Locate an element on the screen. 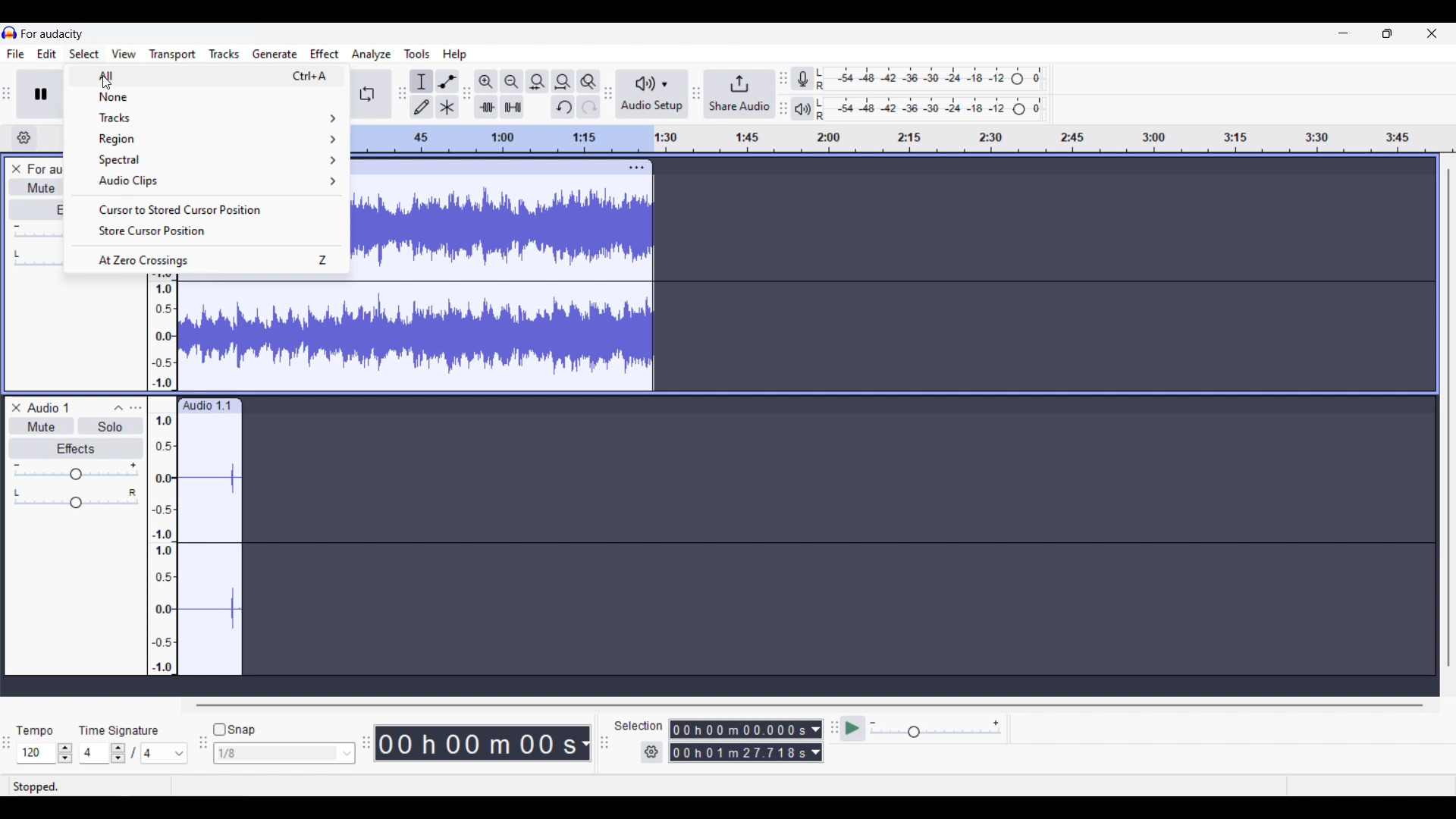 The width and height of the screenshot is (1456, 819). Trim audio outside selection is located at coordinates (487, 107).